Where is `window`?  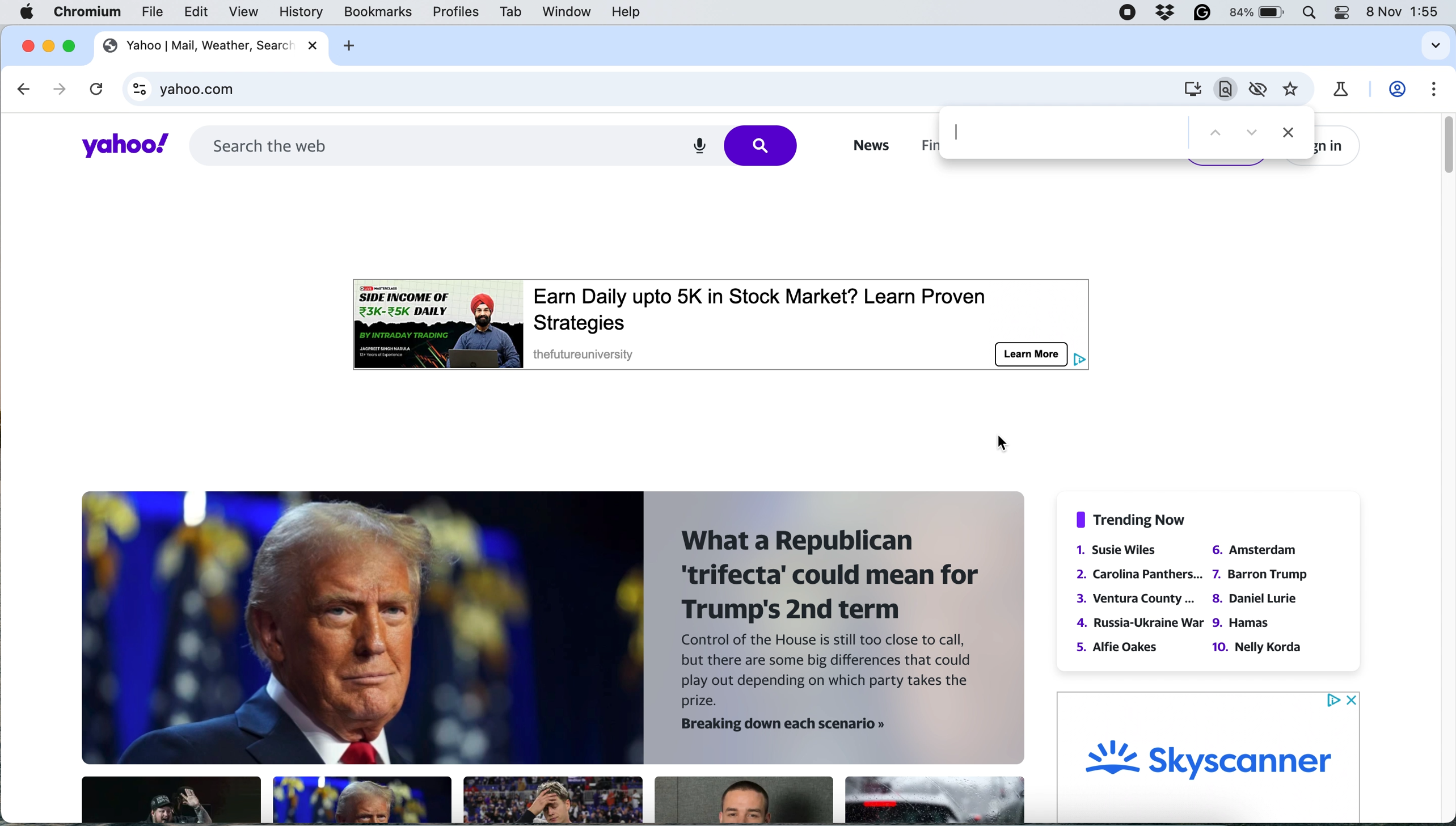 window is located at coordinates (568, 15).